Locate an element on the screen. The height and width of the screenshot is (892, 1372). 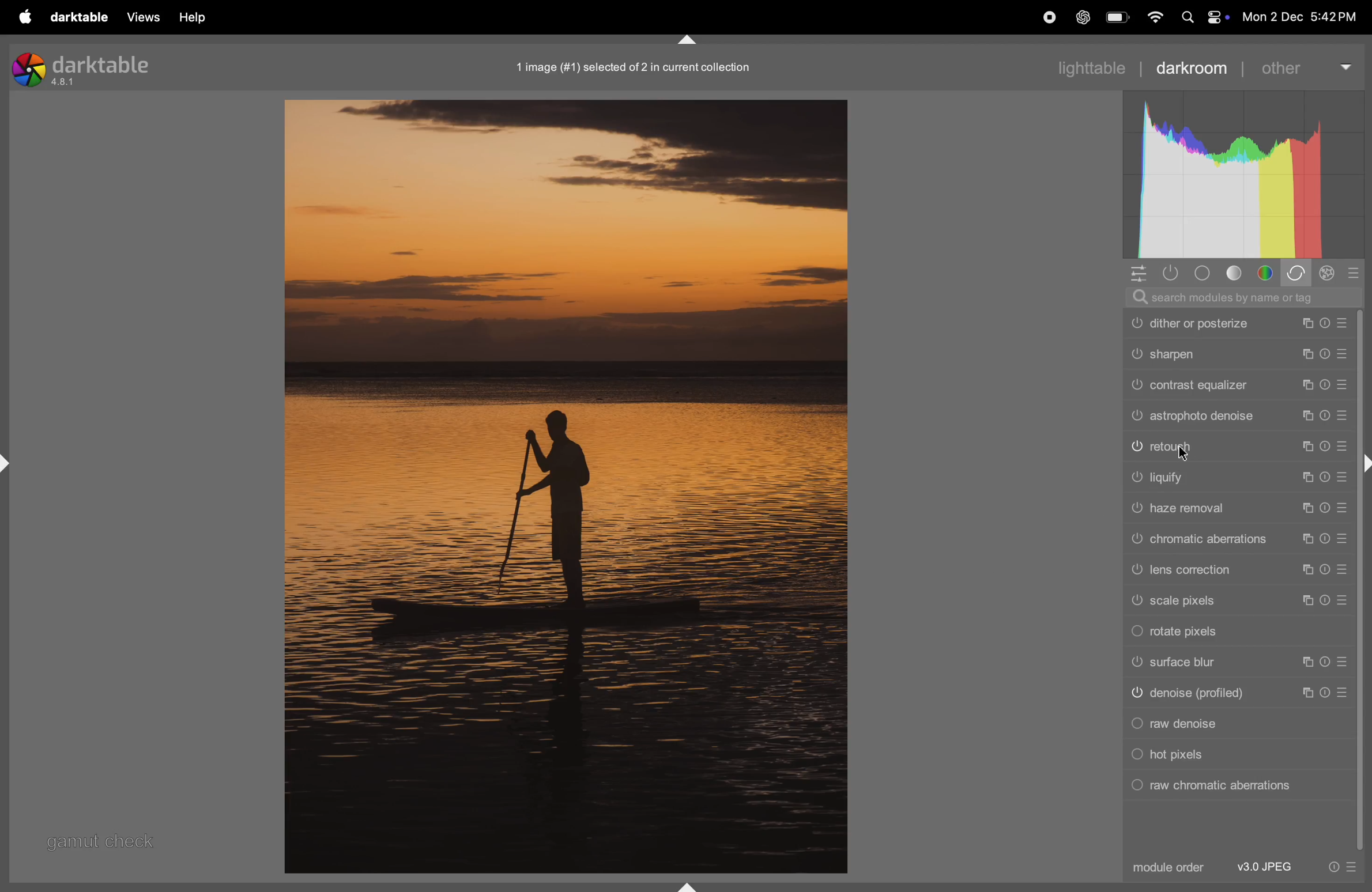
expand is located at coordinates (688, 884).